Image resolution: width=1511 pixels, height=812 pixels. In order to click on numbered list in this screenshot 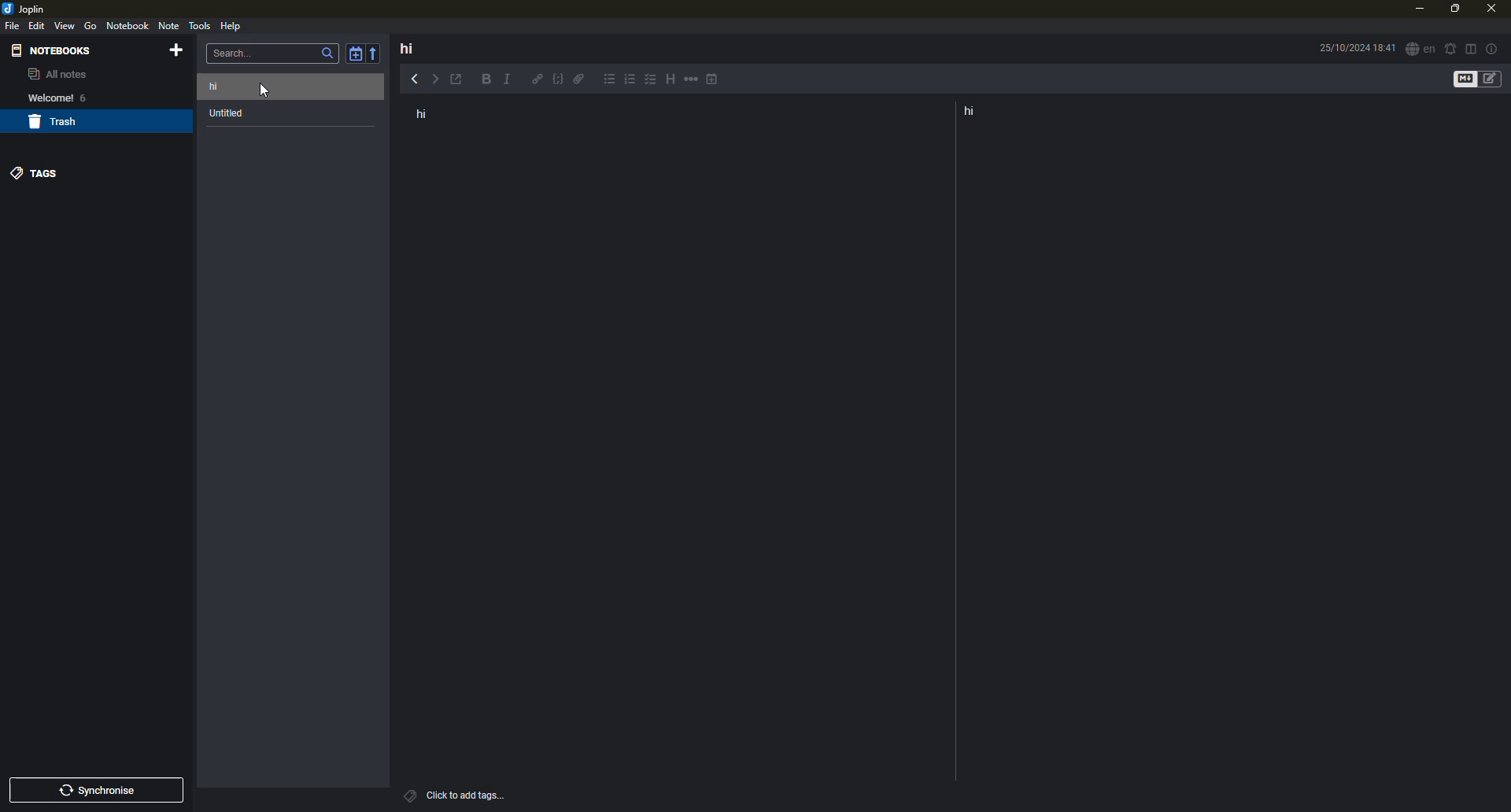, I will do `click(630, 82)`.